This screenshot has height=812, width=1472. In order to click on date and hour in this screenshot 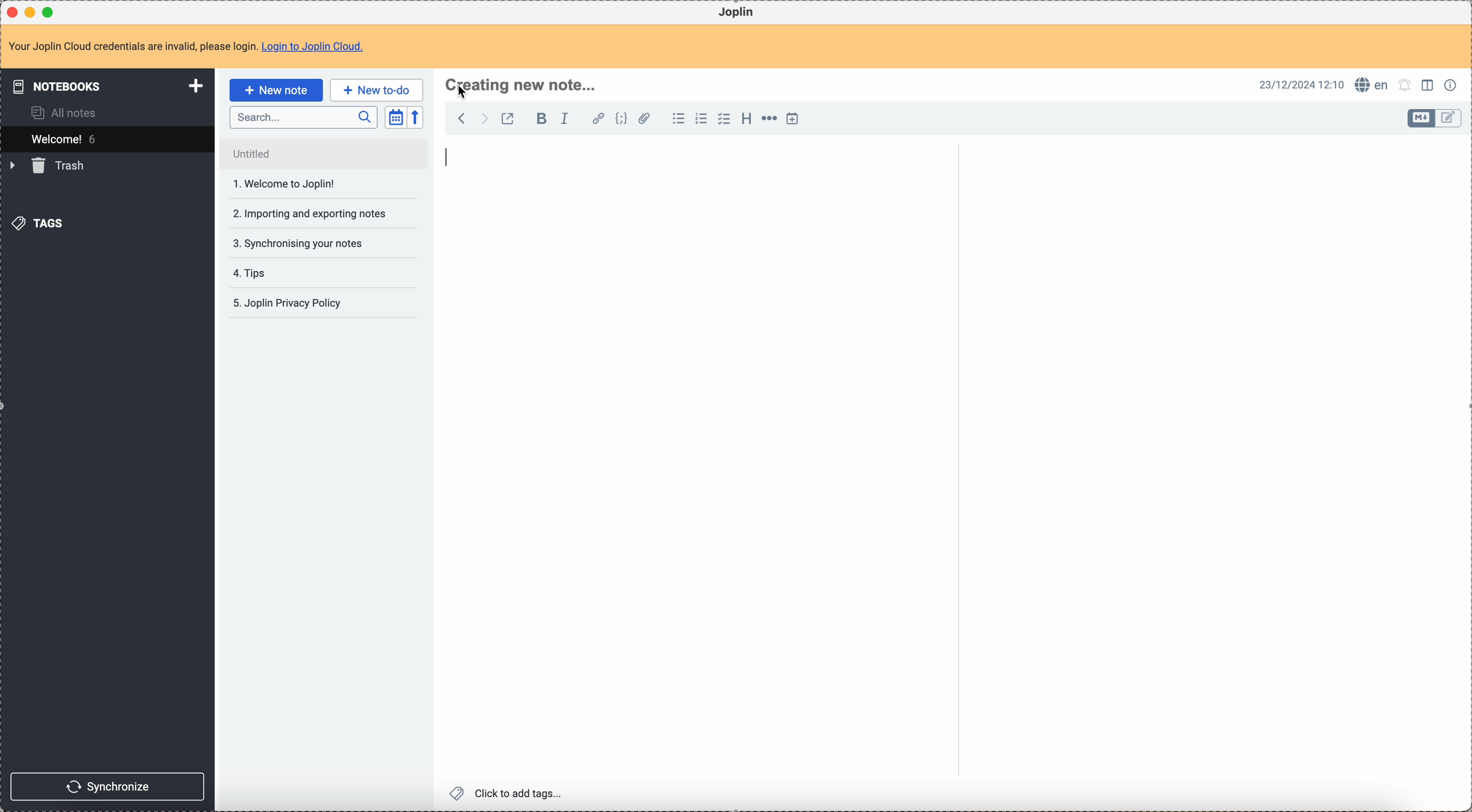, I will do `click(1299, 85)`.